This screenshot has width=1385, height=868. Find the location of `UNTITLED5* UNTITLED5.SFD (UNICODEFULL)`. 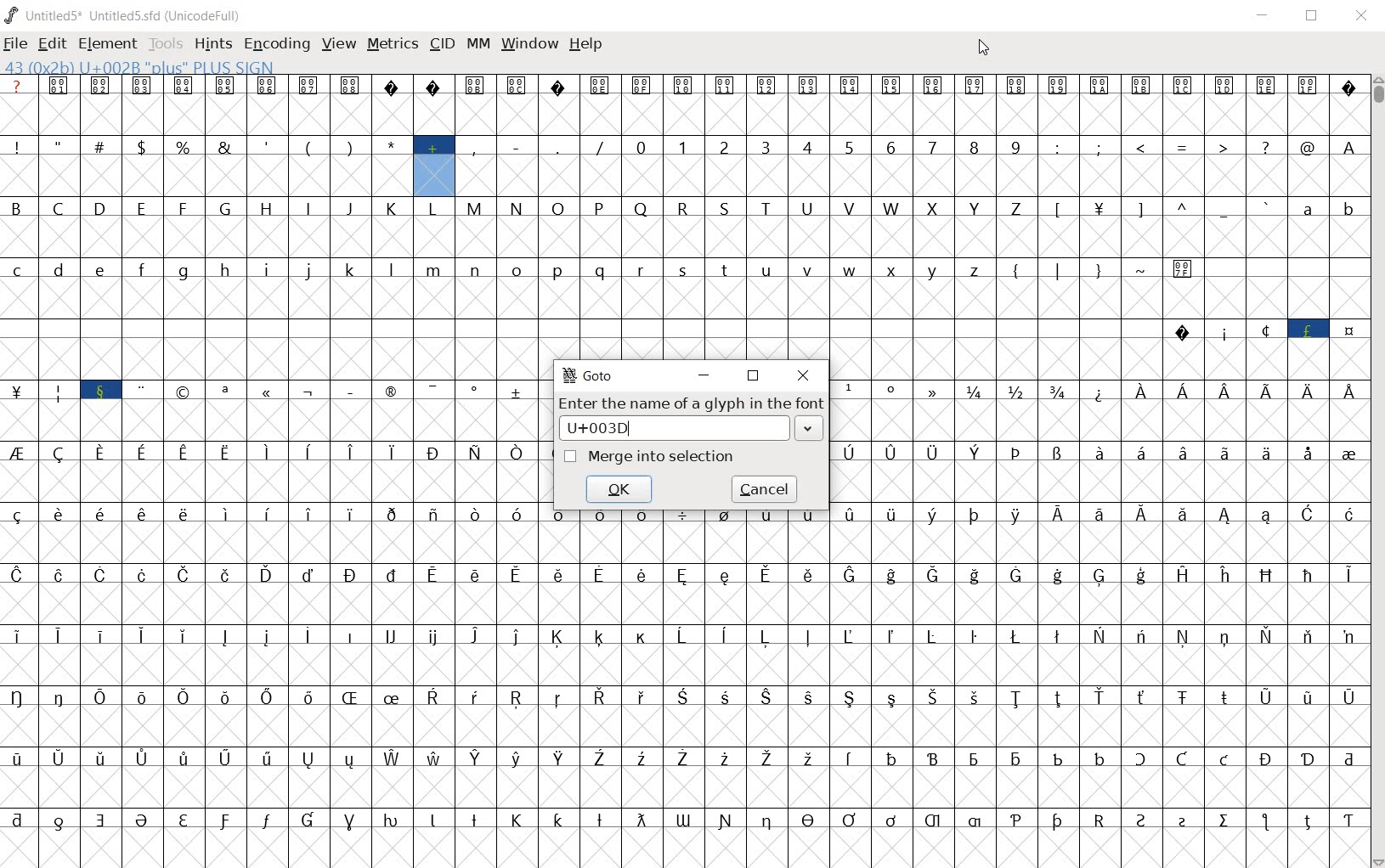

UNTITLED5* UNTITLED5.SFD (UNICODEFULL) is located at coordinates (127, 14).